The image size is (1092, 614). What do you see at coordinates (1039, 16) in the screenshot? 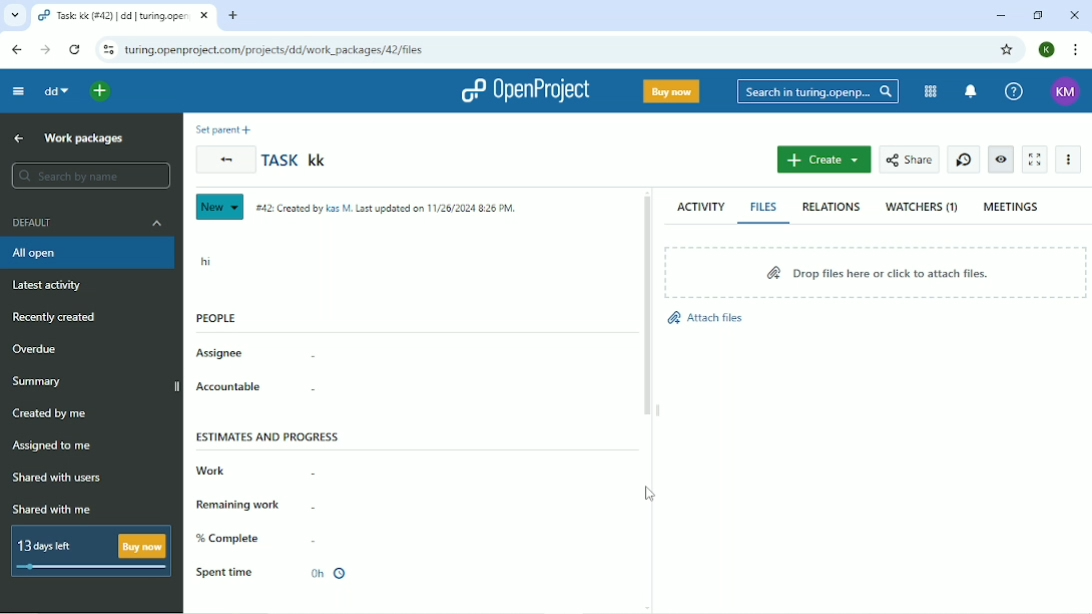
I see `Restore down` at bounding box center [1039, 16].